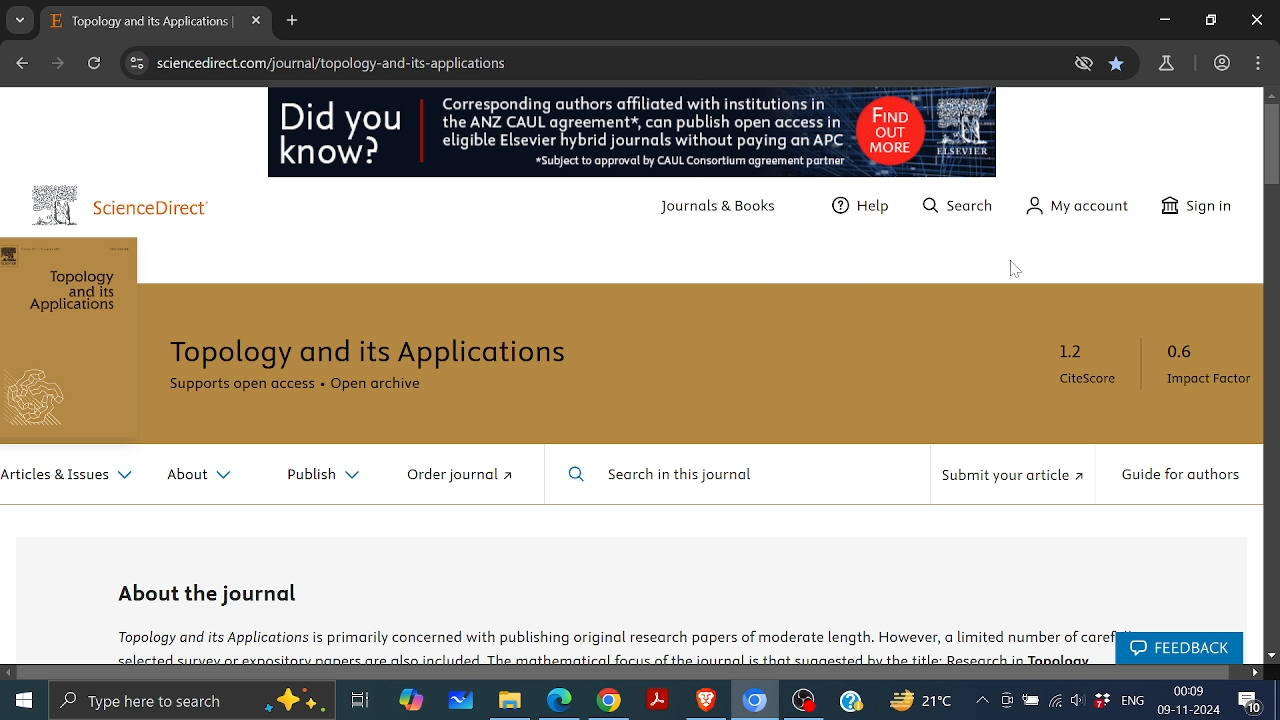 The width and height of the screenshot is (1280, 720). What do you see at coordinates (163, 210) in the screenshot?
I see `ScienceDirect` at bounding box center [163, 210].